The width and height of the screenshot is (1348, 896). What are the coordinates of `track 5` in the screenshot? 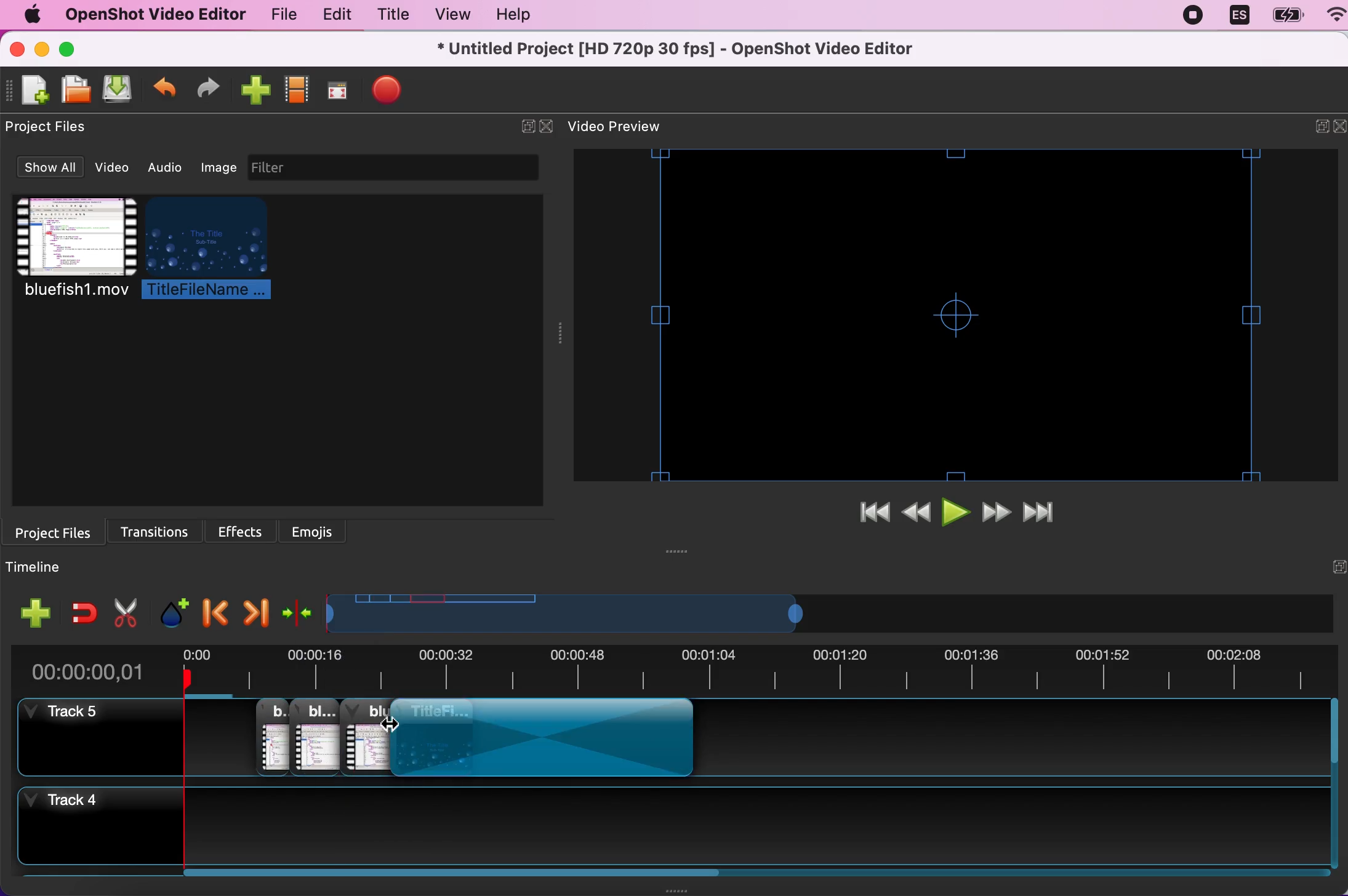 It's located at (303, 735).